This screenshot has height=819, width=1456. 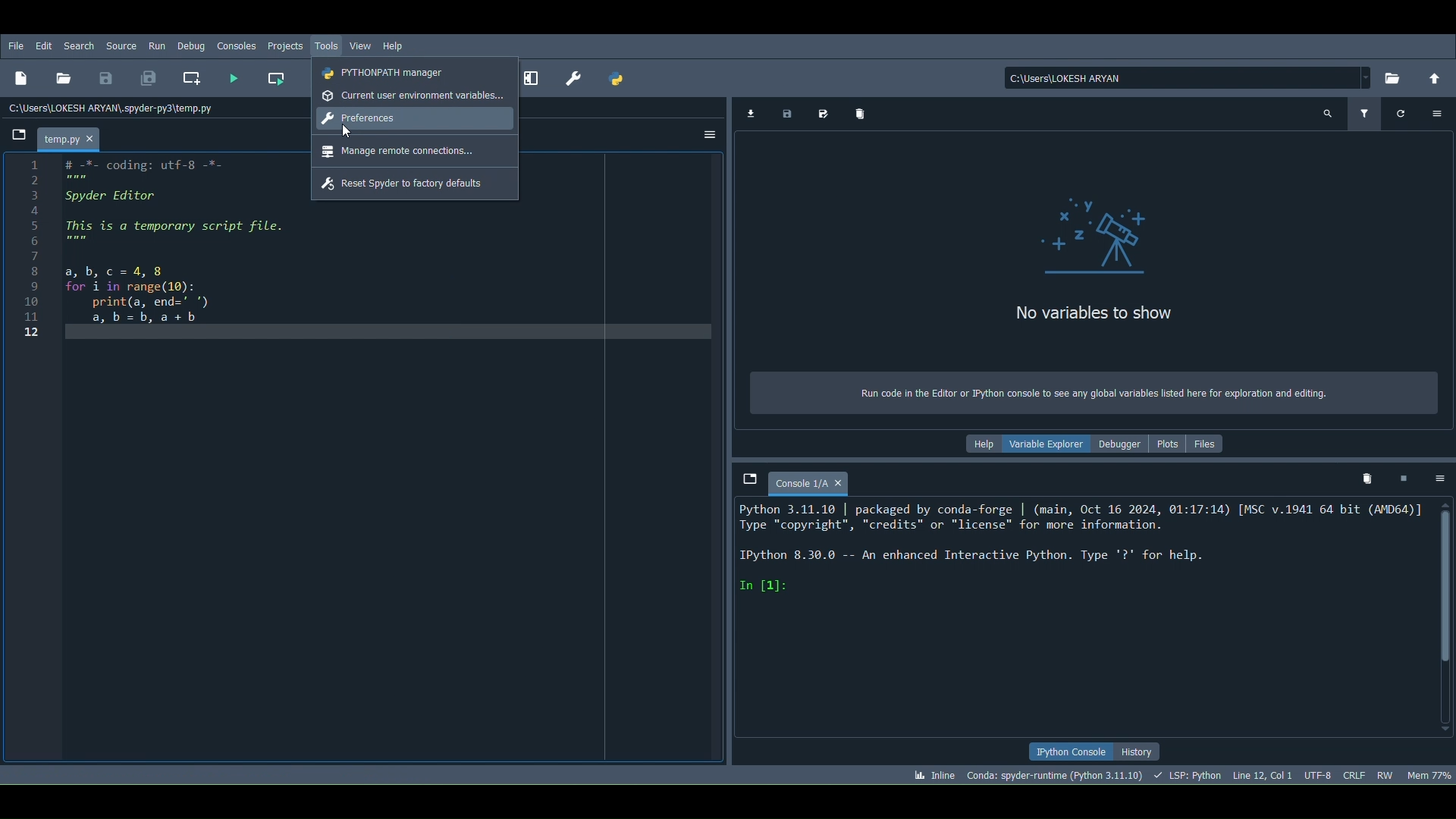 What do you see at coordinates (1208, 447) in the screenshot?
I see `Files` at bounding box center [1208, 447].